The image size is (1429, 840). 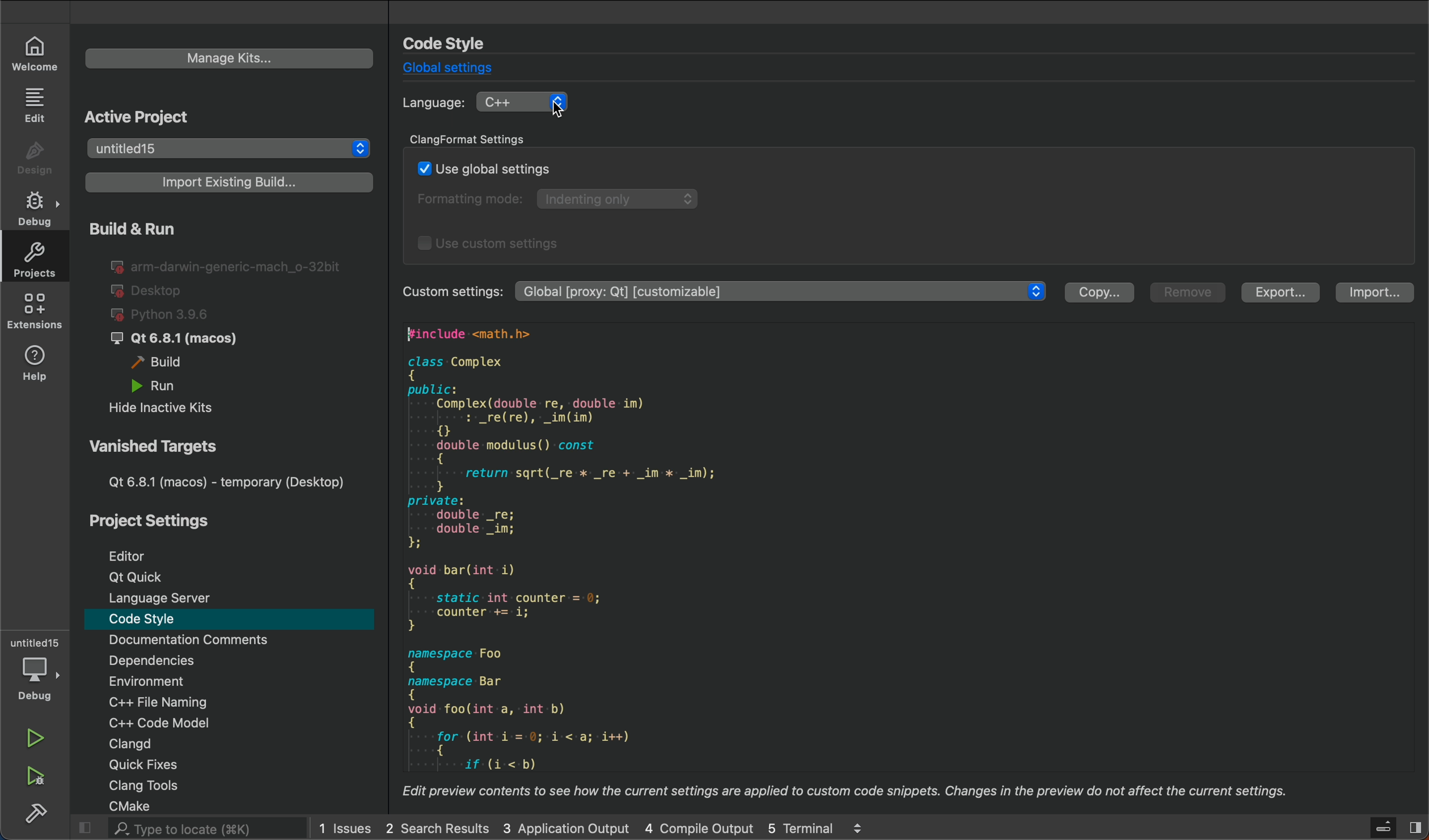 What do you see at coordinates (154, 621) in the screenshot?
I see `code style` at bounding box center [154, 621].